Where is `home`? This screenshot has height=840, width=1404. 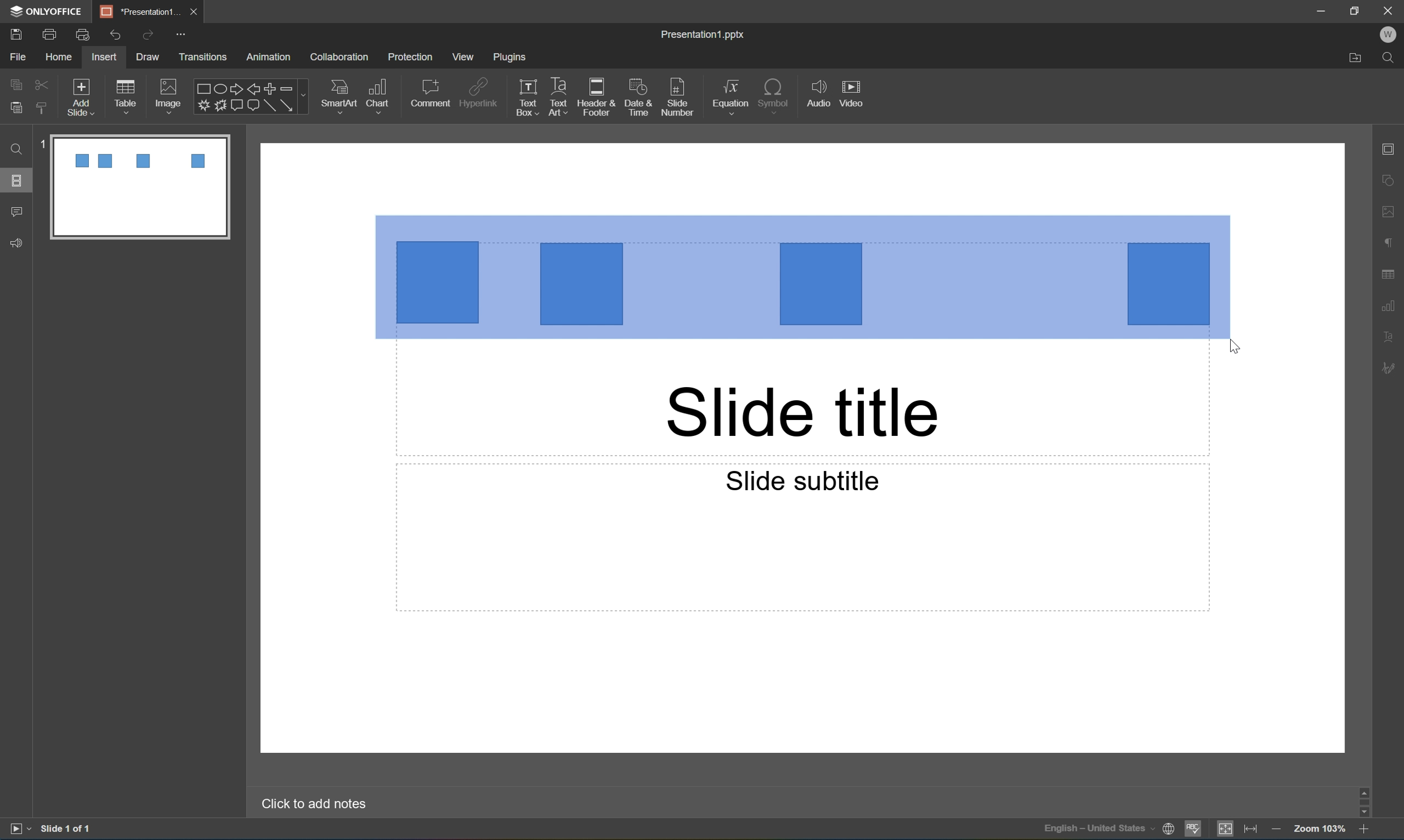
home is located at coordinates (58, 58).